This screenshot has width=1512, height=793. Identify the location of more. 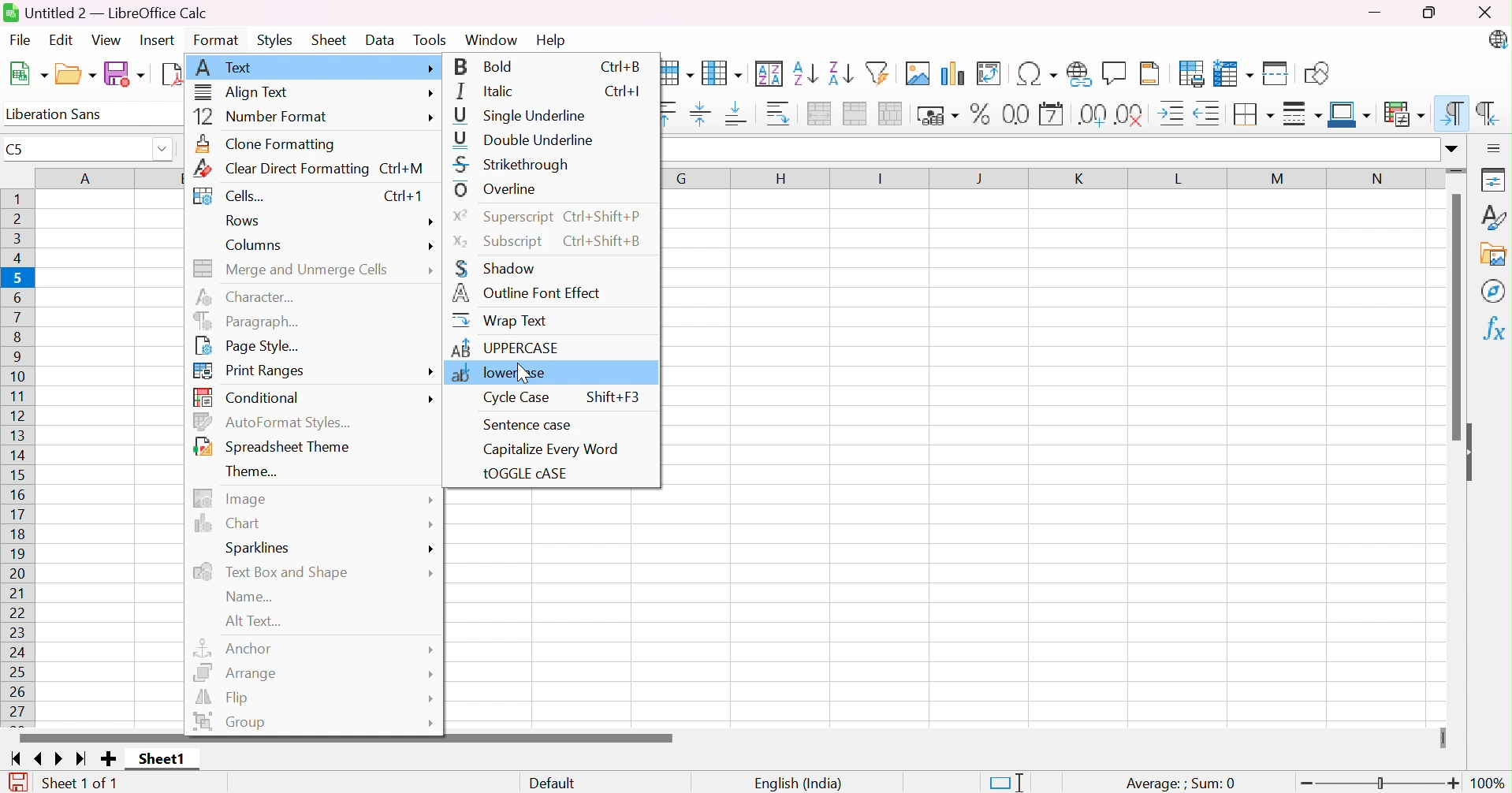
(430, 118).